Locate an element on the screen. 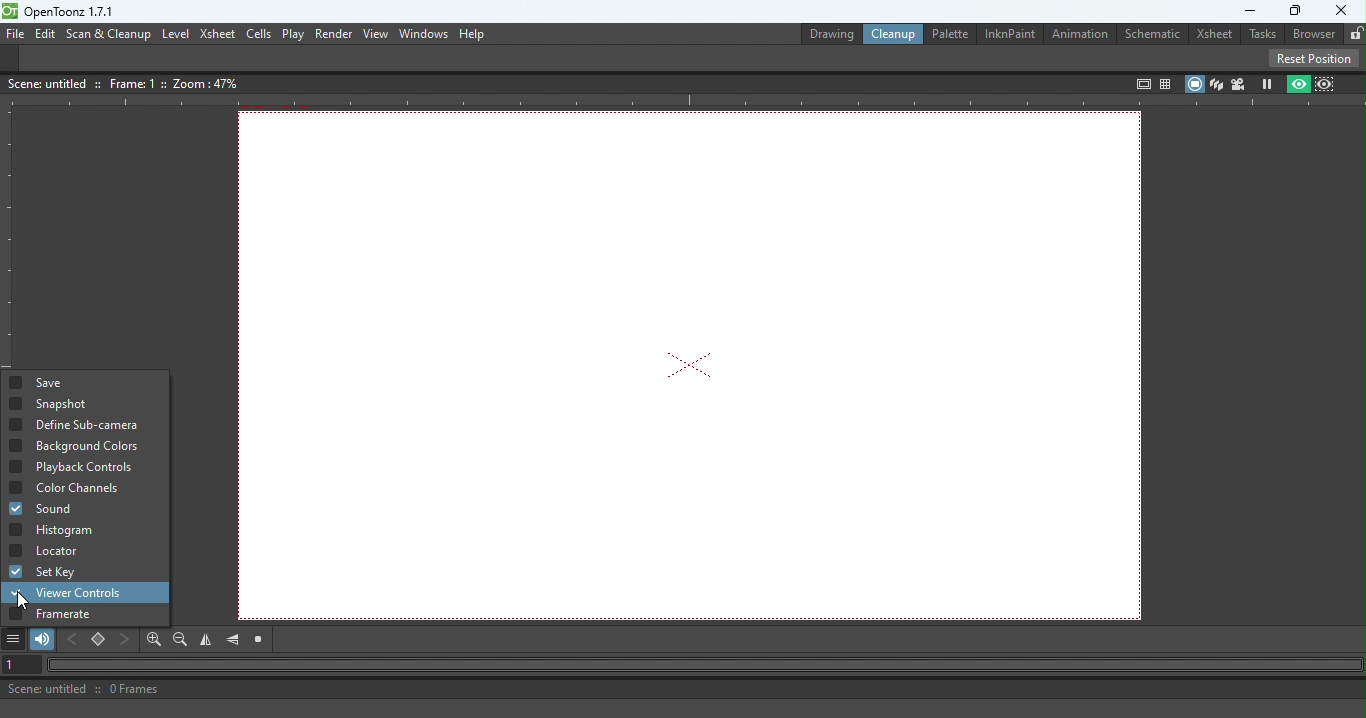 Image resolution: width=1366 pixels, height=718 pixels. cells is located at coordinates (258, 34).